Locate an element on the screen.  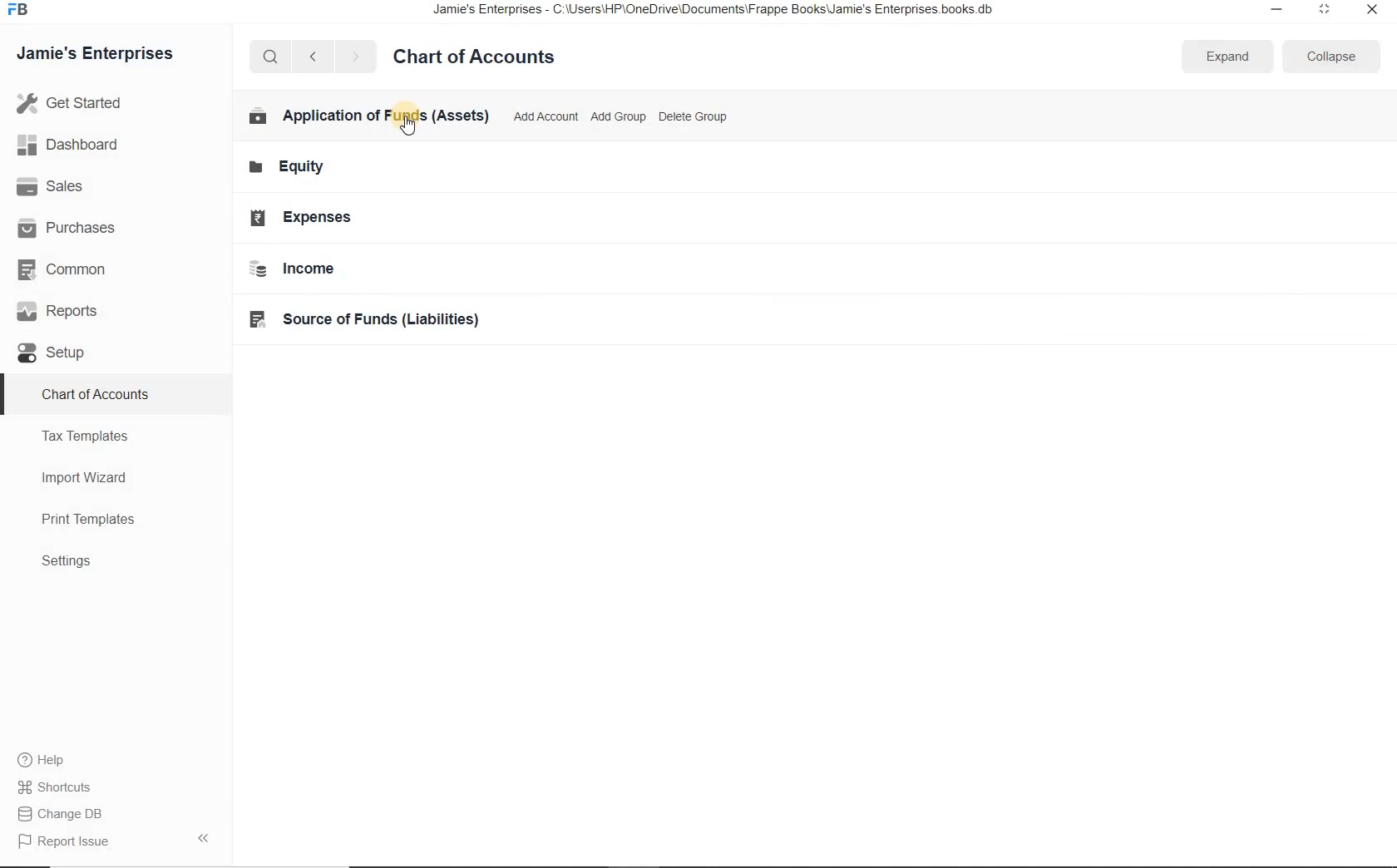
search is located at coordinates (270, 57).